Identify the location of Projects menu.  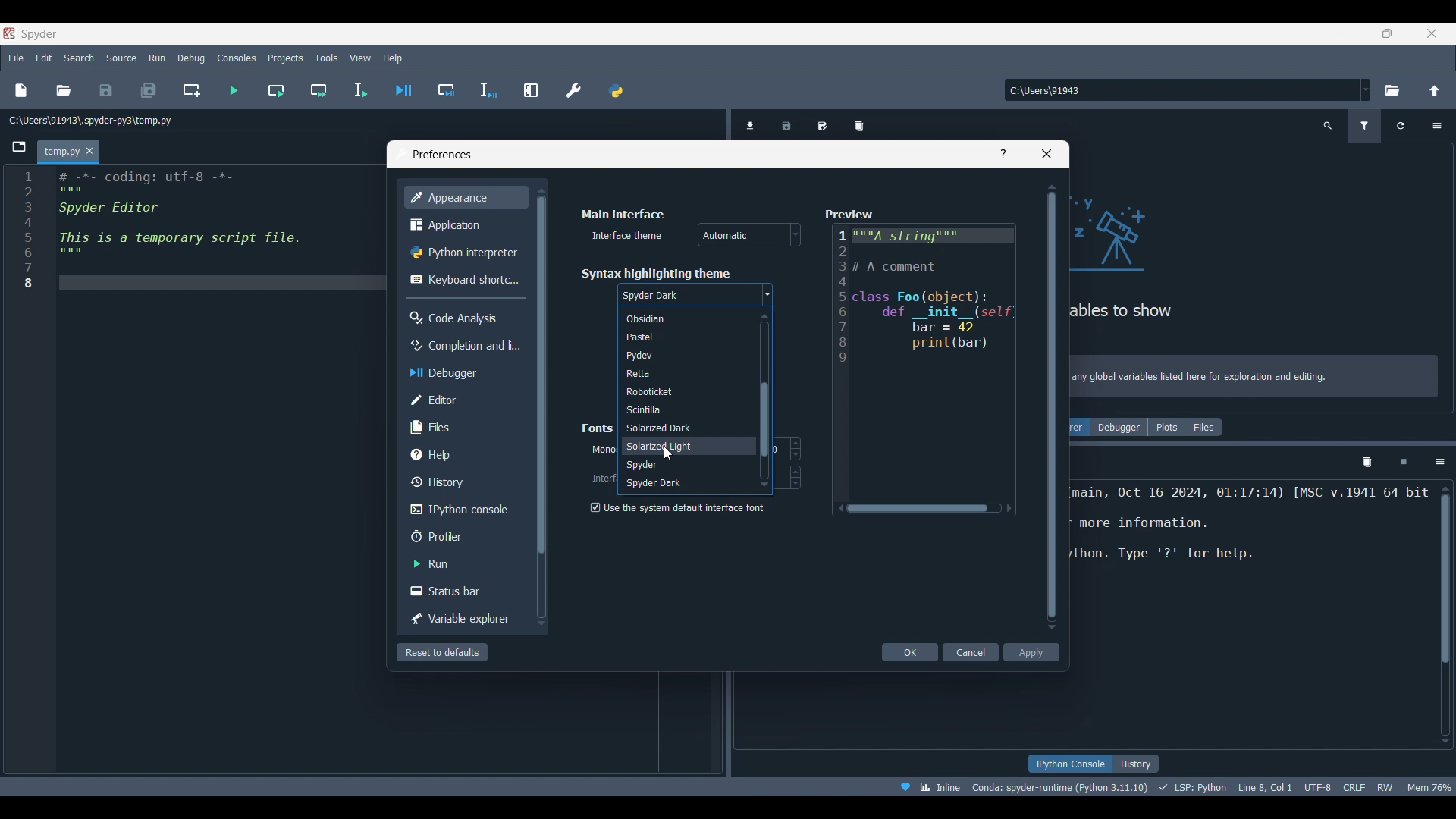
(286, 58).